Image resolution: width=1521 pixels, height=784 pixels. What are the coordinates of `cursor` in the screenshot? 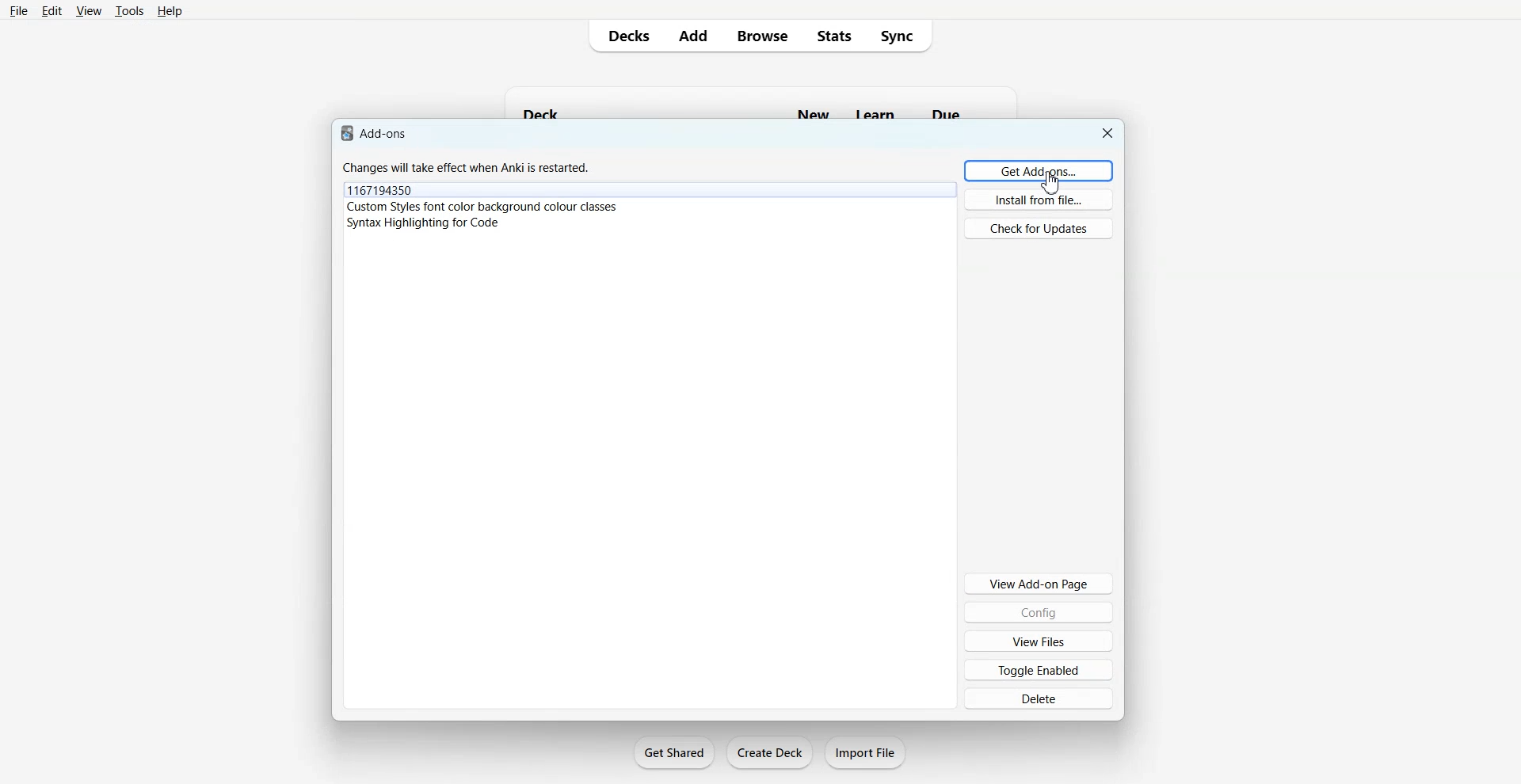 It's located at (1053, 185).